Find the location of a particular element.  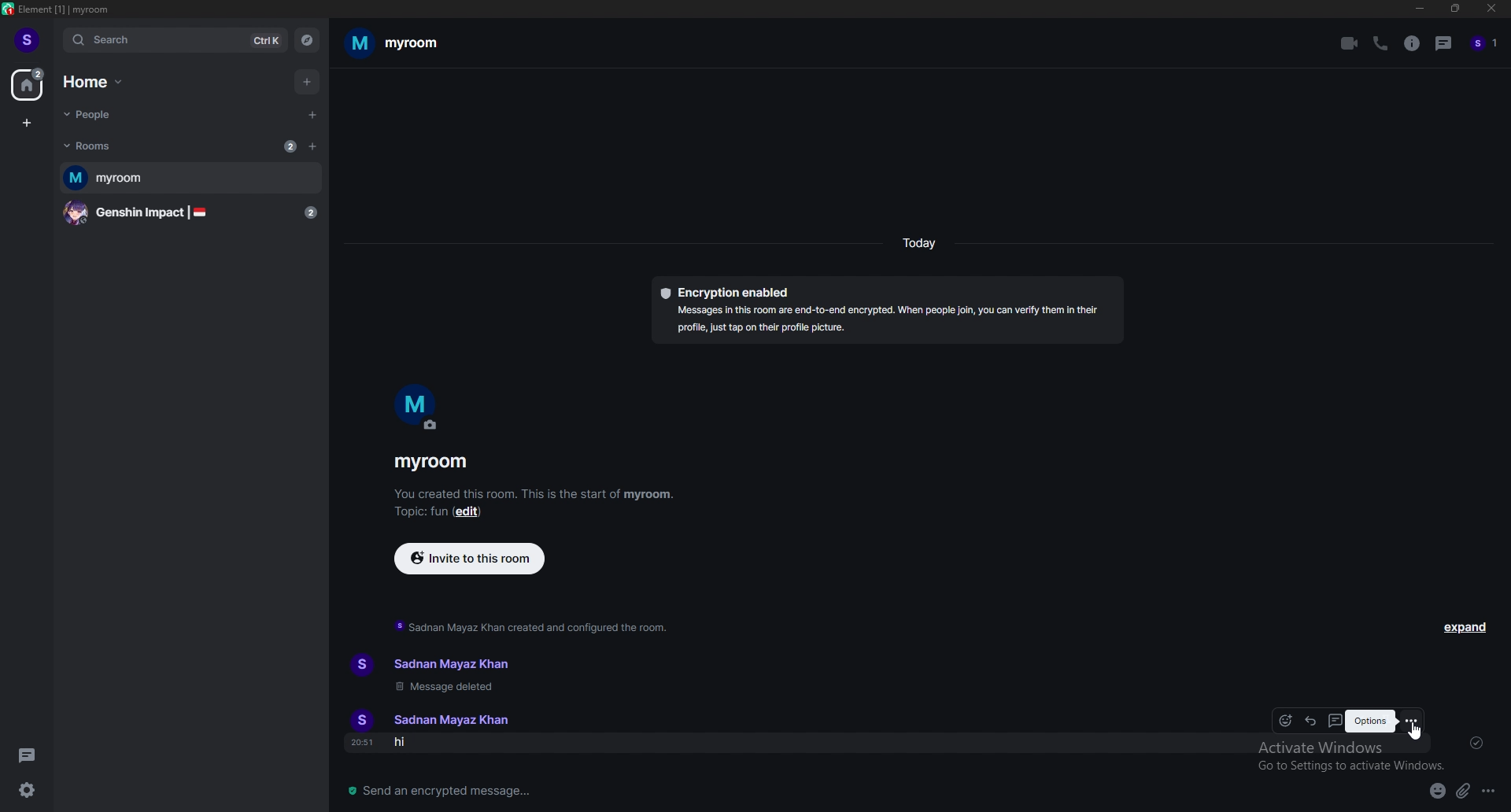

sent is located at coordinates (1476, 742).